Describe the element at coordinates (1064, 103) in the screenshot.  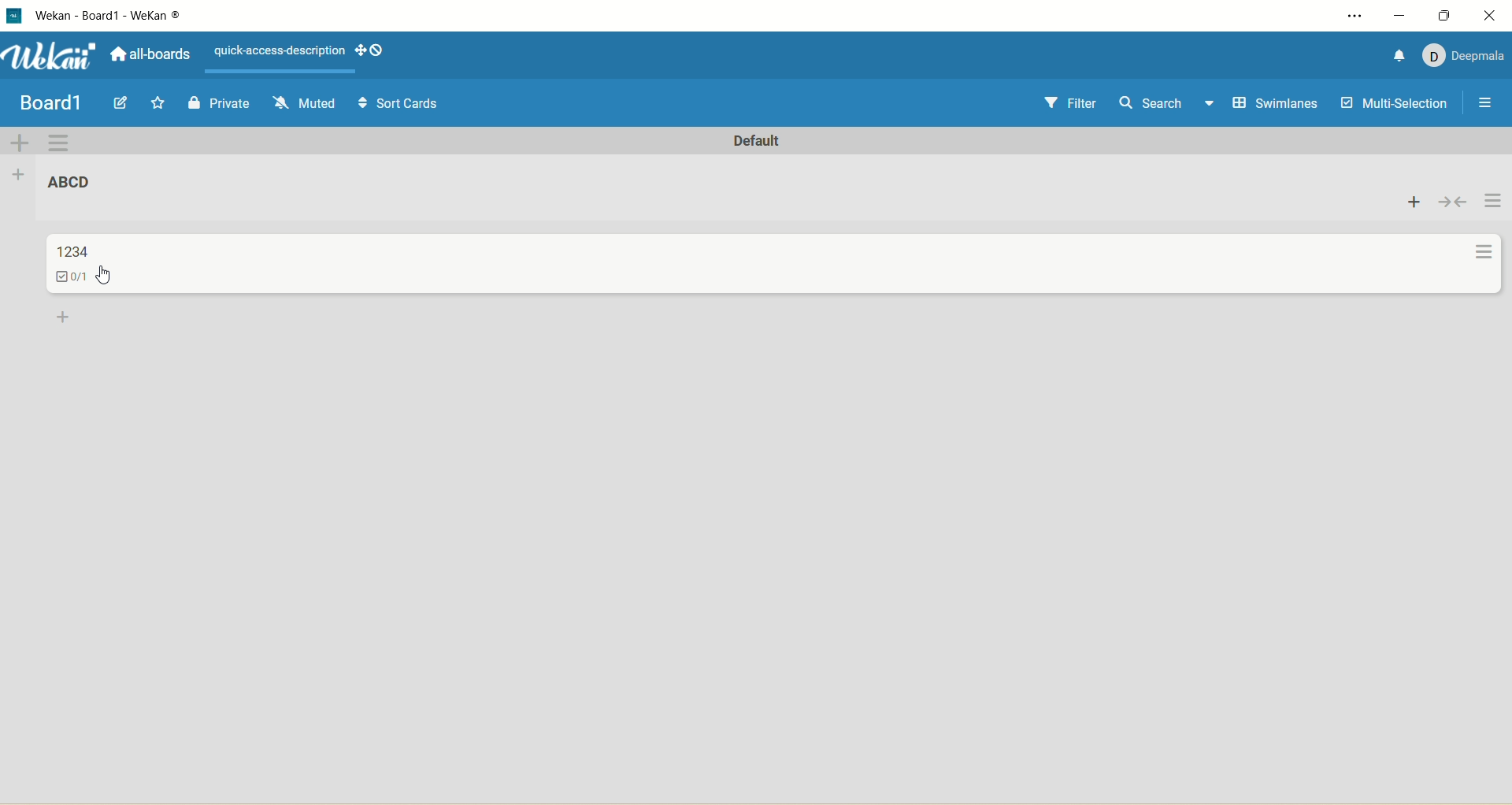
I see `filter` at that location.